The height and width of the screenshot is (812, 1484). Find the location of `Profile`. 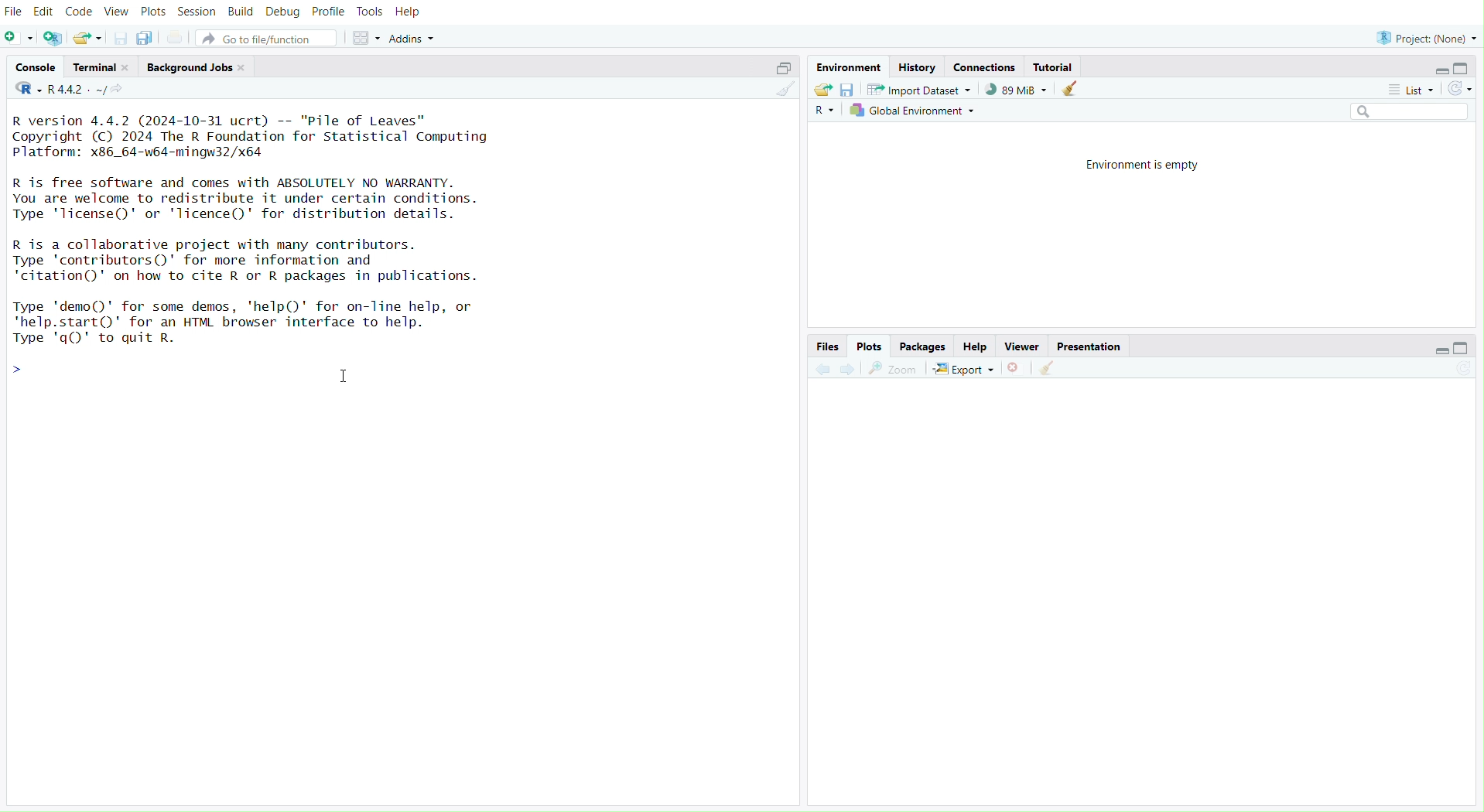

Profile is located at coordinates (327, 12).